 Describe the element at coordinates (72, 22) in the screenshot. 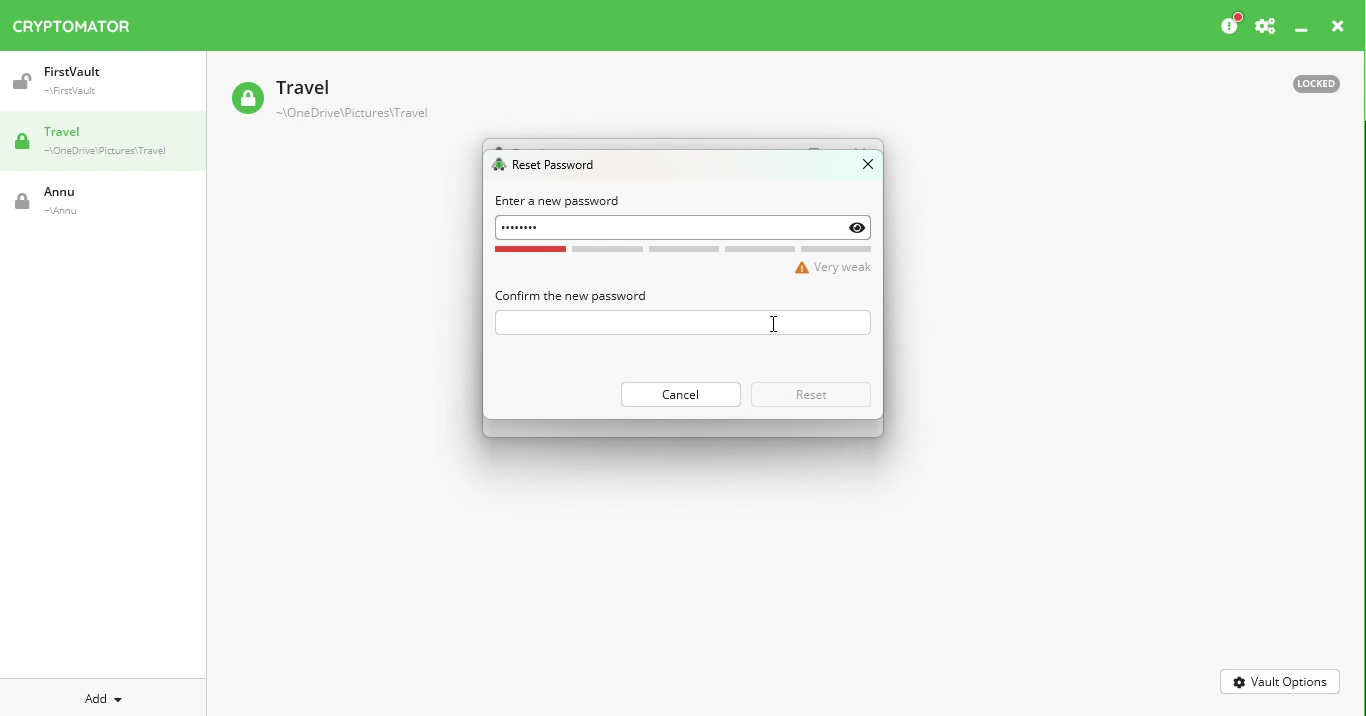

I see `Cryptomator` at that location.